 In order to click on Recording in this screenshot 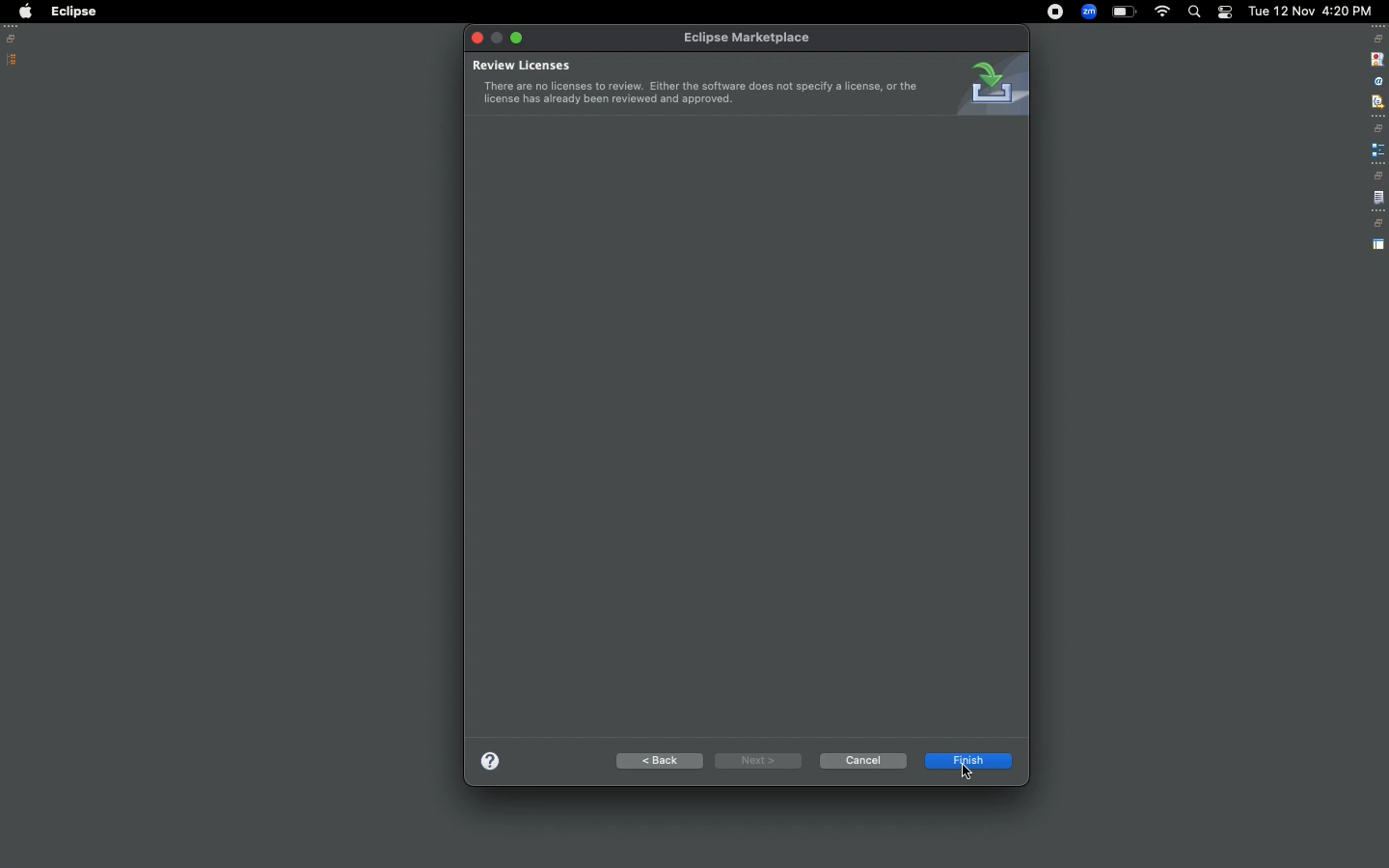, I will do `click(1055, 14)`.